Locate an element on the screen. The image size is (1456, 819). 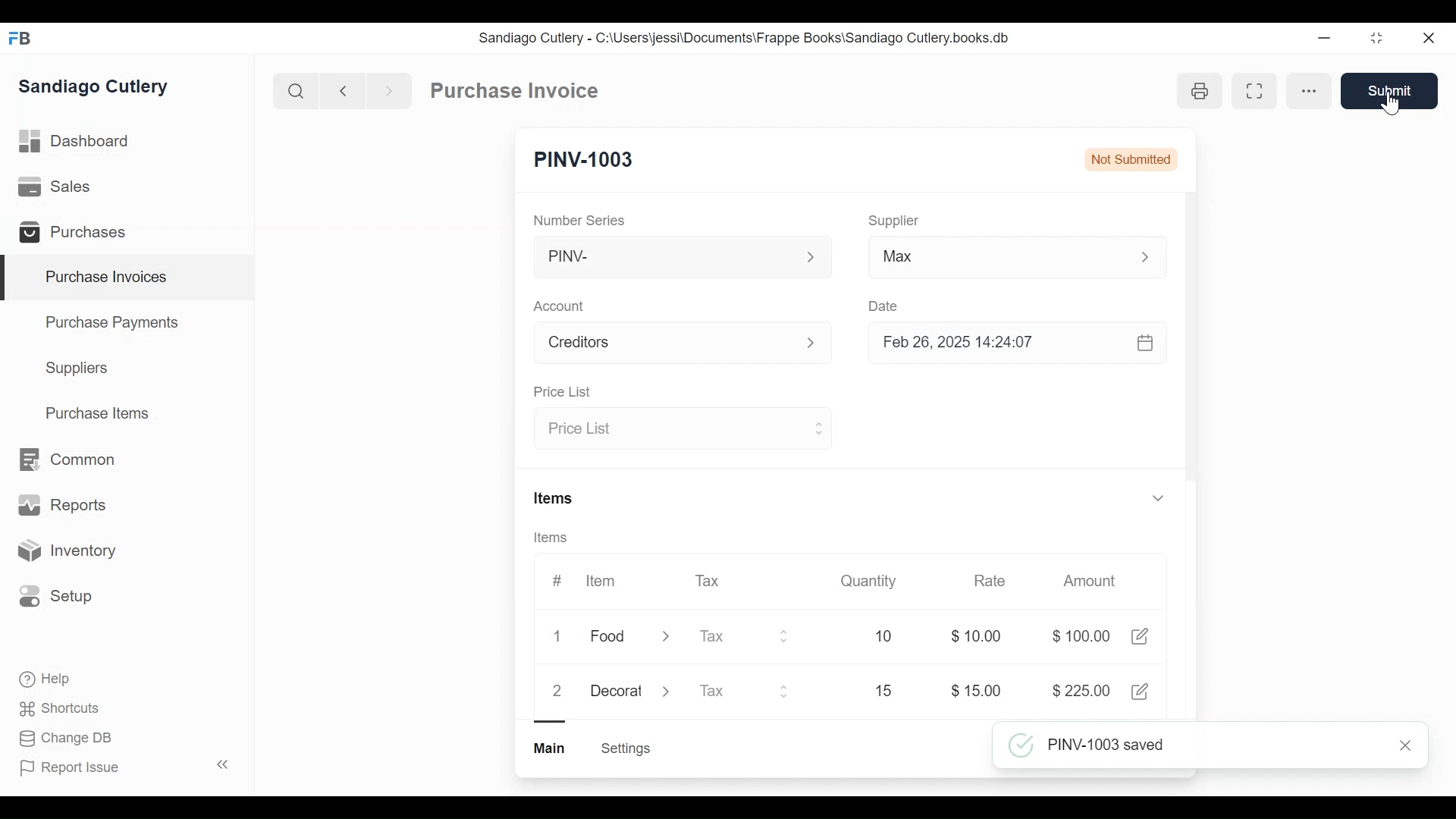
Sales is located at coordinates (58, 187).